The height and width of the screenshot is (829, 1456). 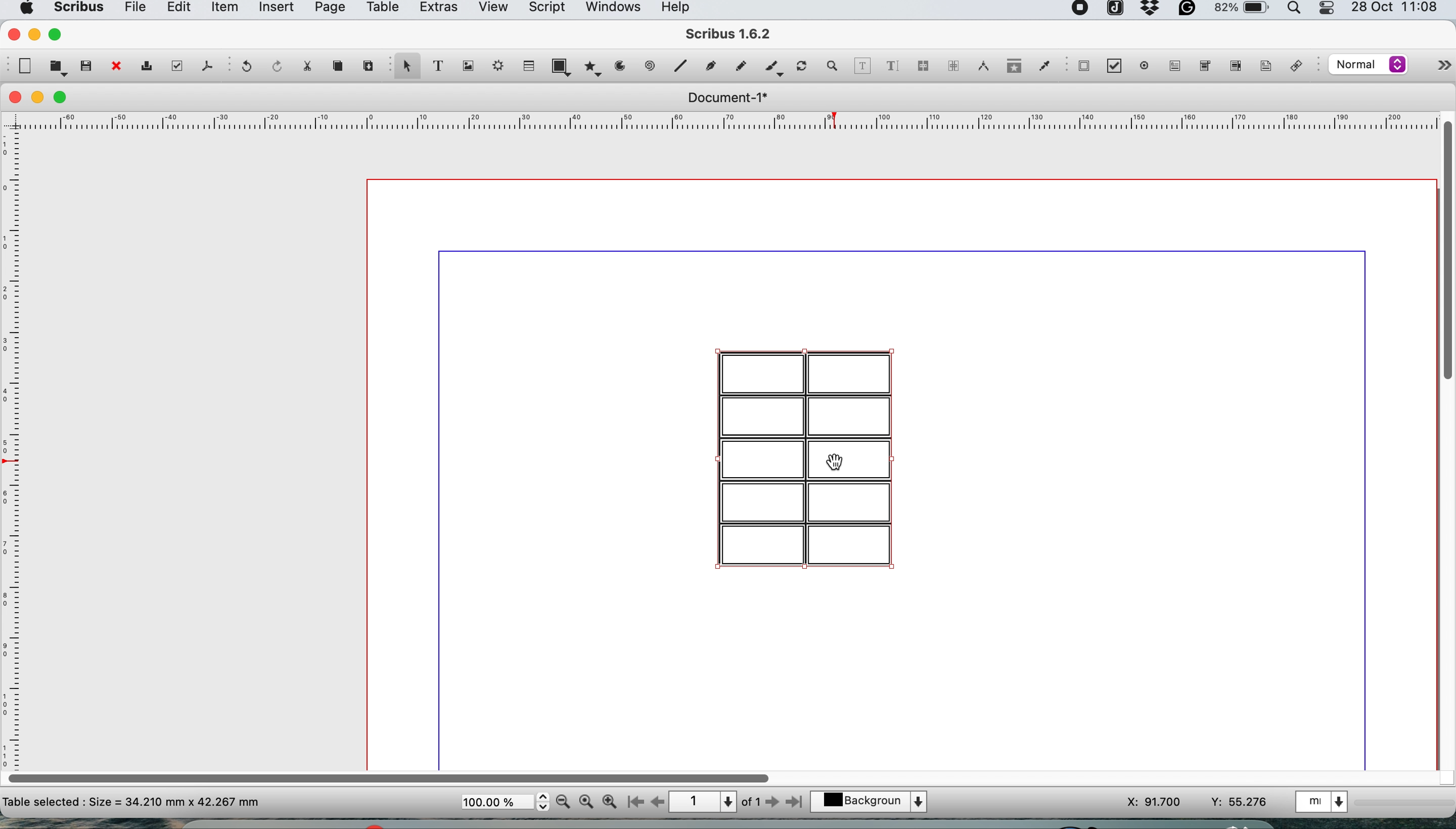 I want to click on arc, so click(x=624, y=66).